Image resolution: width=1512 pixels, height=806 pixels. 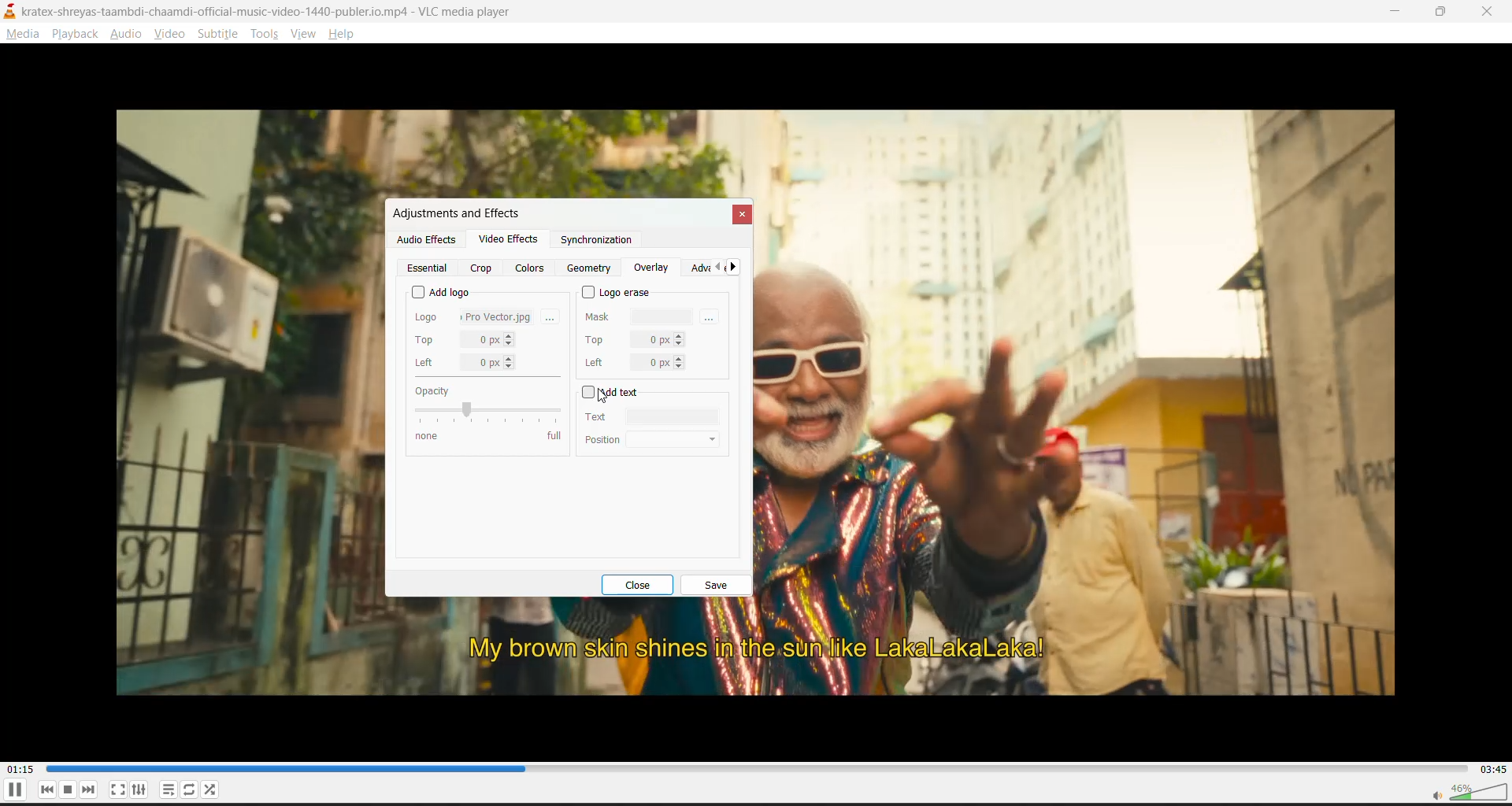 What do you see at coordinates (595, 243) in the screenshot?
I see `synchronization` at bounding box center [595, 243].